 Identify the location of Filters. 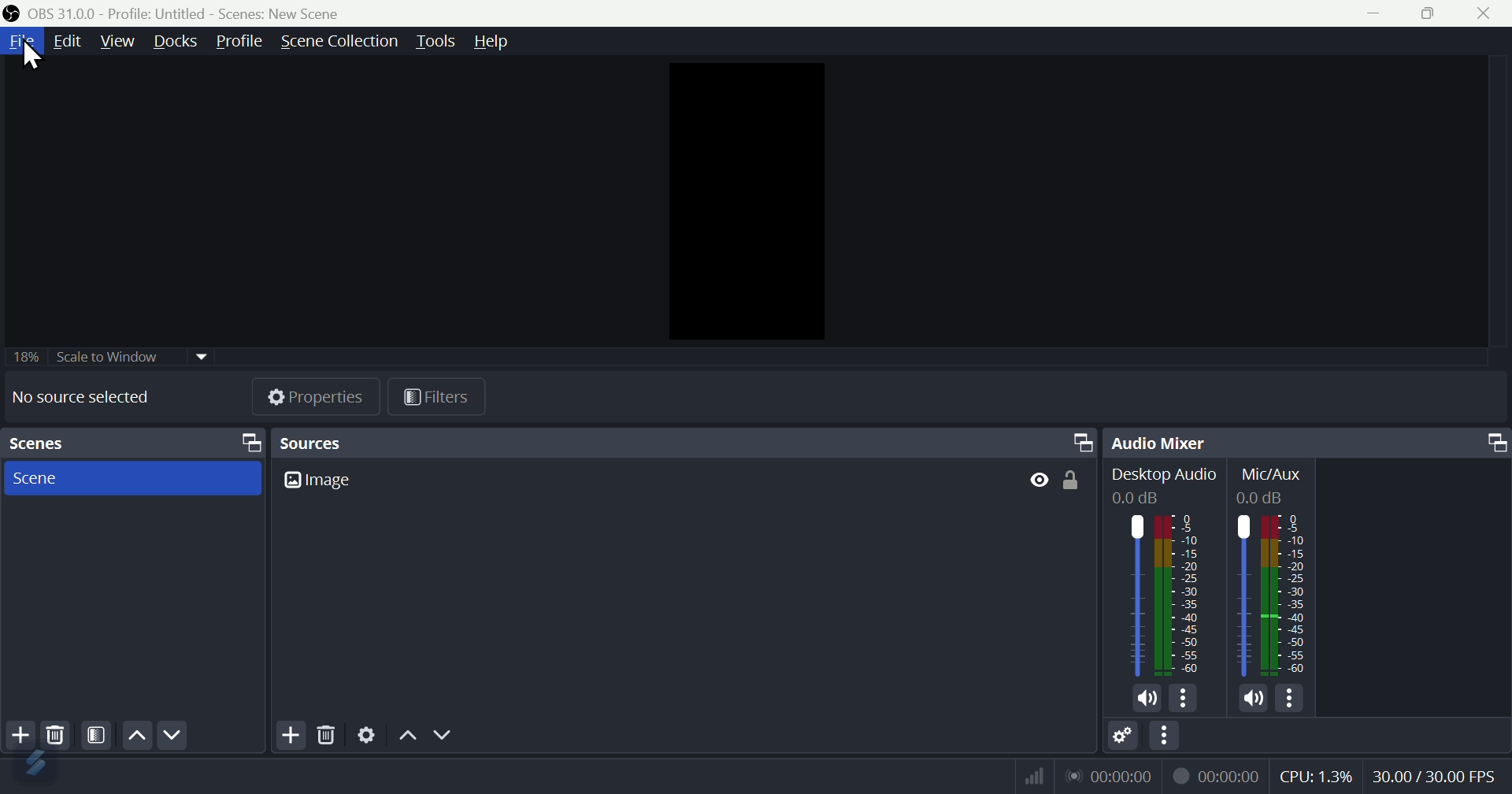
(435, 395).